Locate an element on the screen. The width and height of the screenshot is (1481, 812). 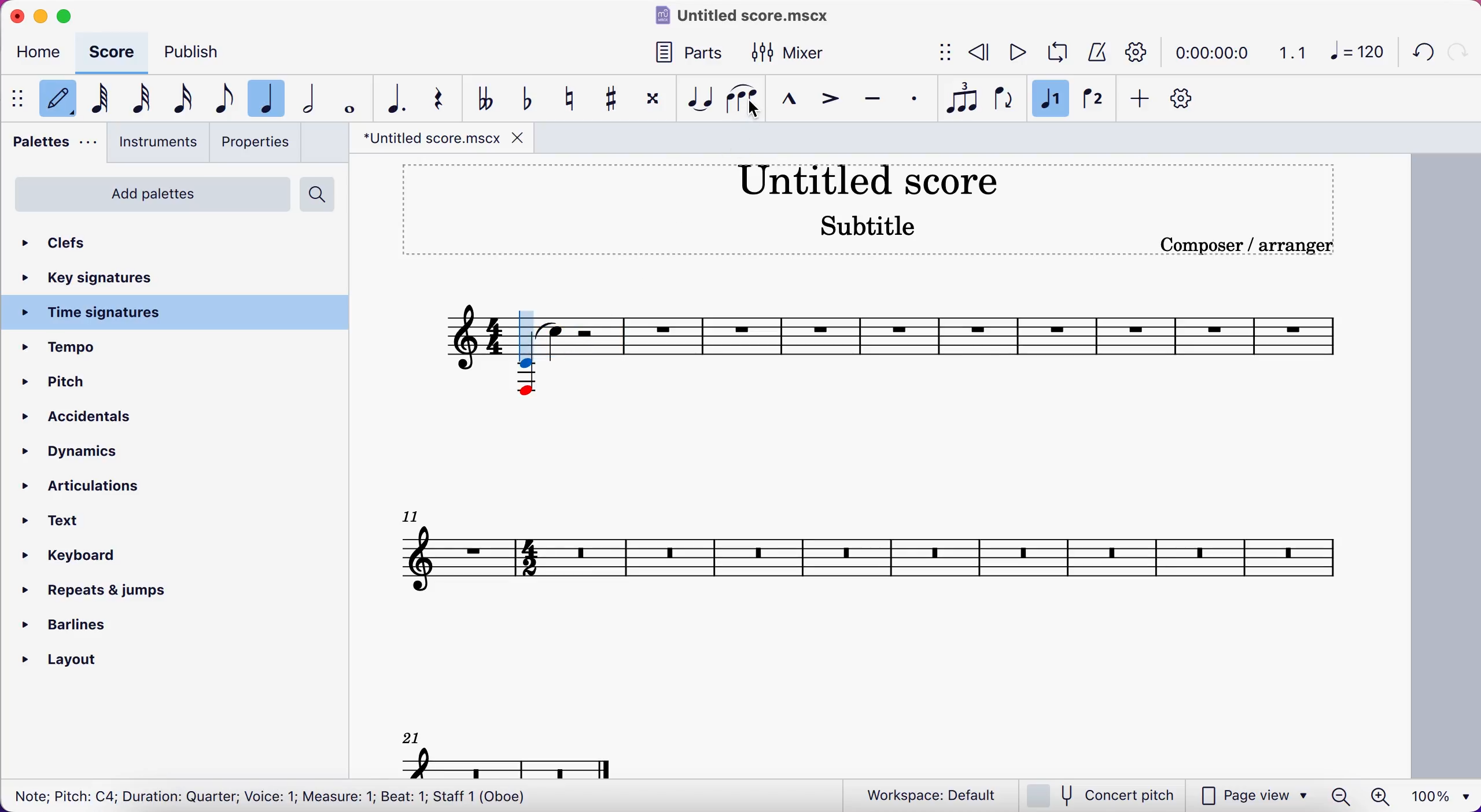
accent is located at coordinates (828, 101).